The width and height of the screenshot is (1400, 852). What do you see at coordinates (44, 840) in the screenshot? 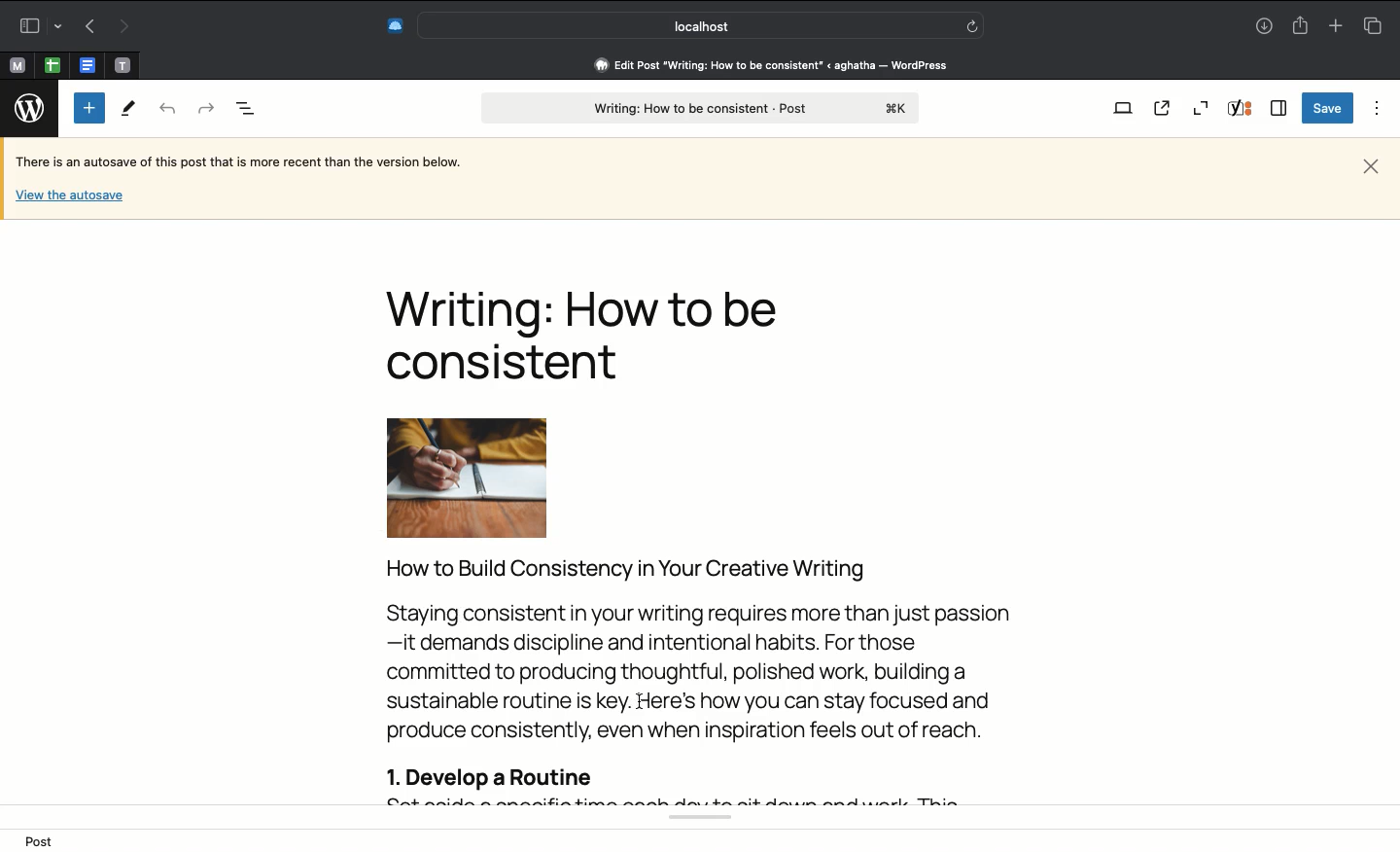
I see `Post` at bounding box center [44, 840].